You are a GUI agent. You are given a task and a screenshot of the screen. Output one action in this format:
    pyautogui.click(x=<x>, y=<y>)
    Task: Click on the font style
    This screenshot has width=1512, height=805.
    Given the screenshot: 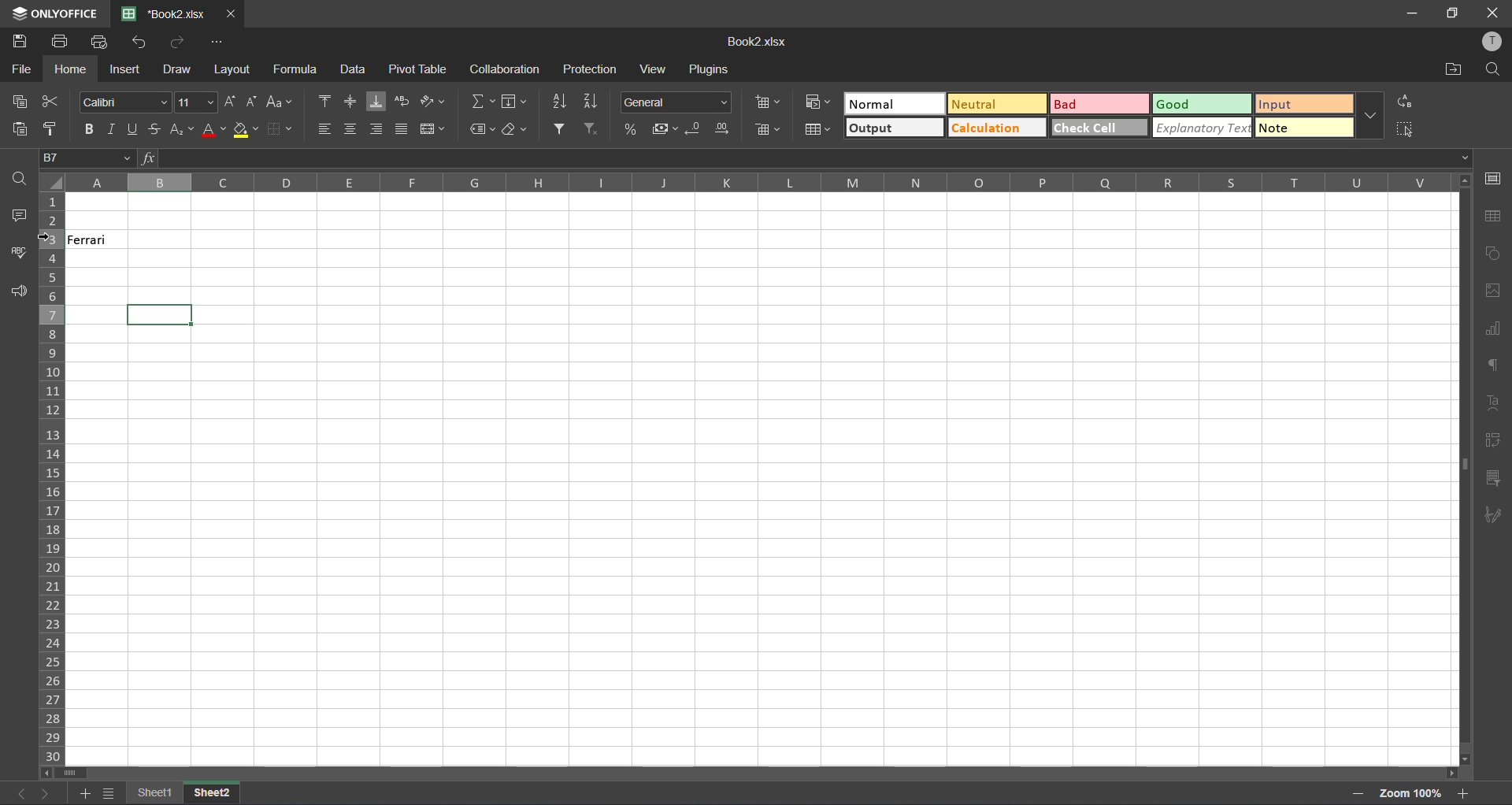 What is the action you would take?
    pyautogui.click(x=118, y=101)
    